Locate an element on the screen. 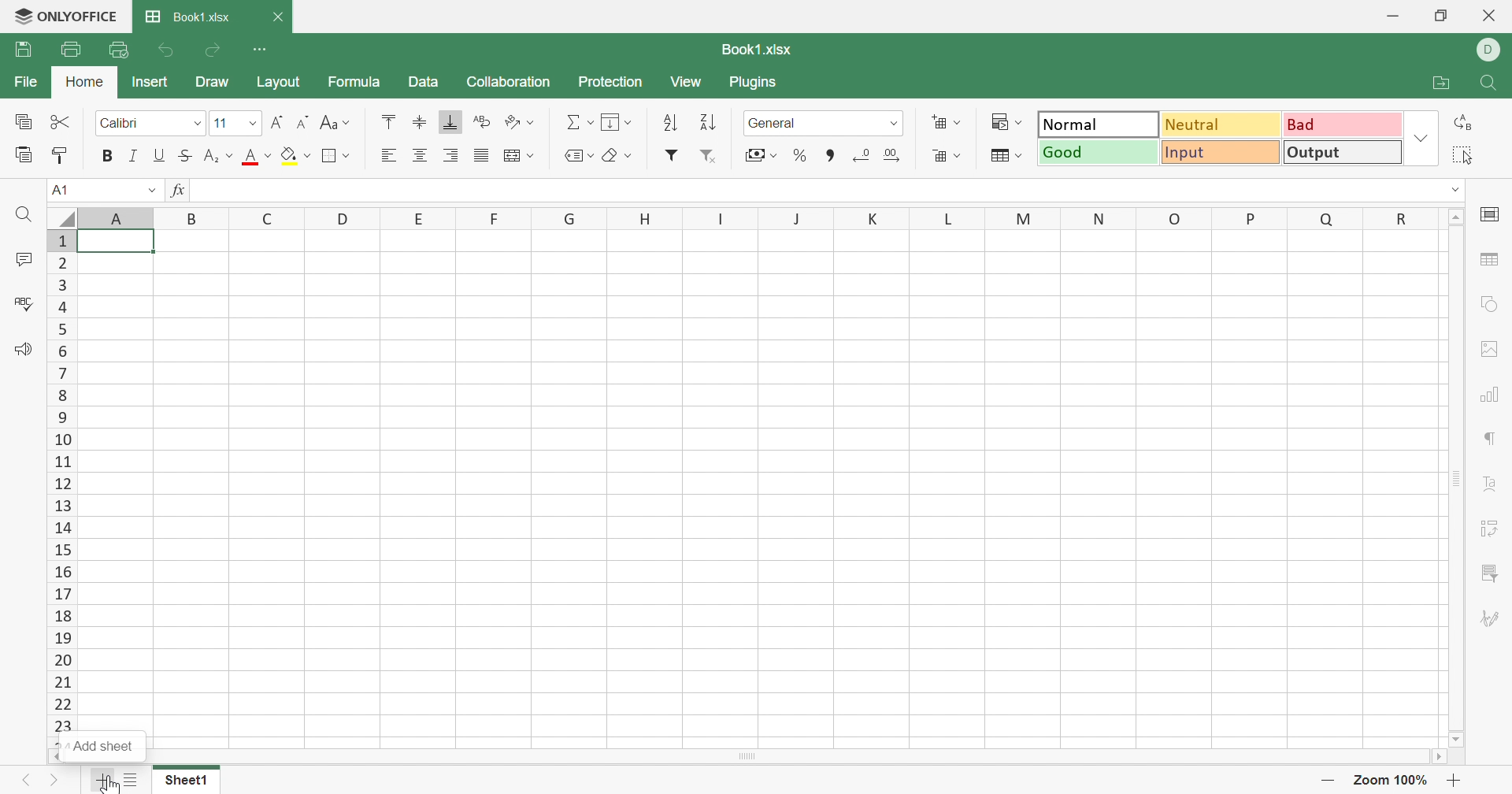 The height and width of the screenshot is (794, 1512). J is located at coordinates (788, 219).